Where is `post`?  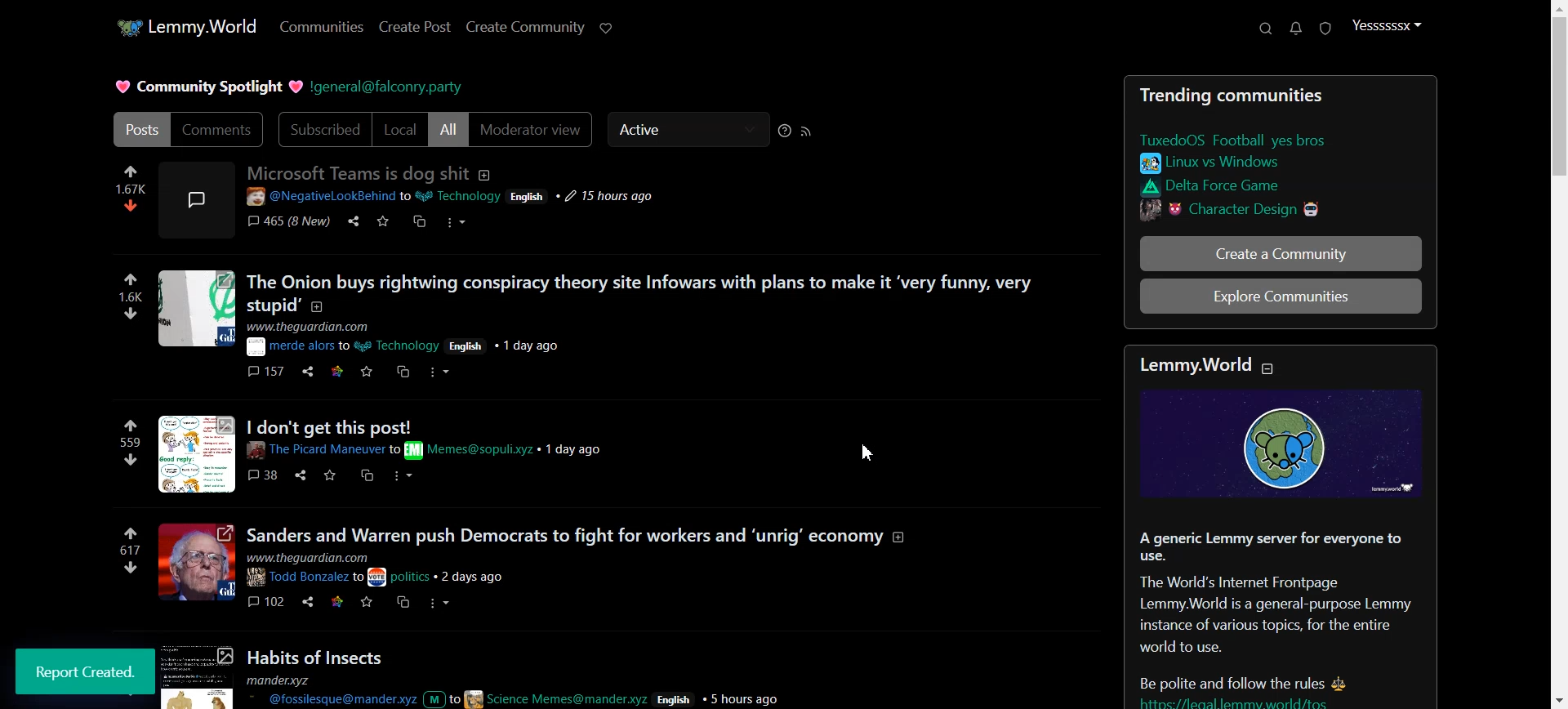
post is located at coordinates (470, 186).